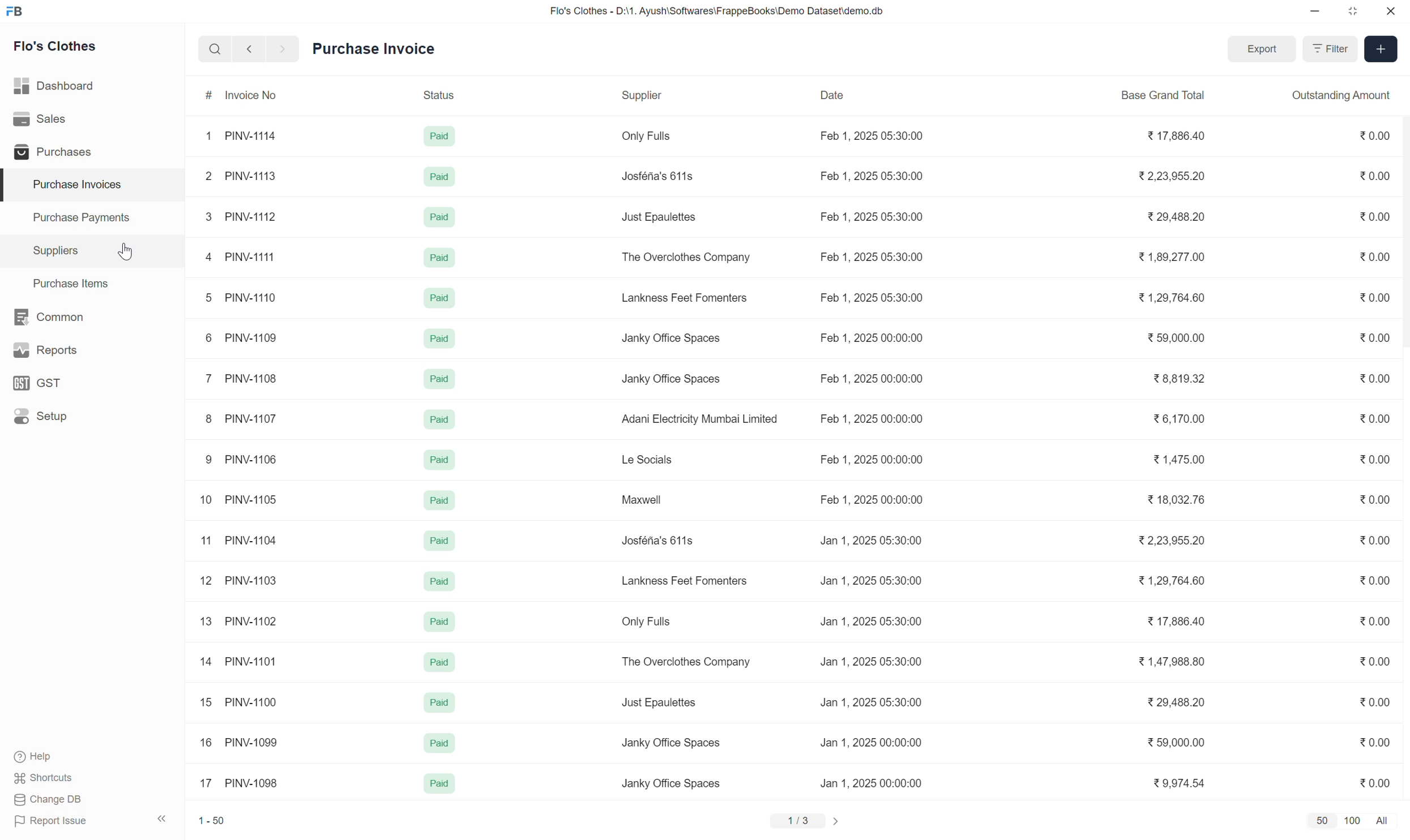 Image resolution: width=1410 pixels, height=840 pixels. Describe the element at coordinates (671, 379) in the screenshot. I see `Janky Office Spaces` at that location.